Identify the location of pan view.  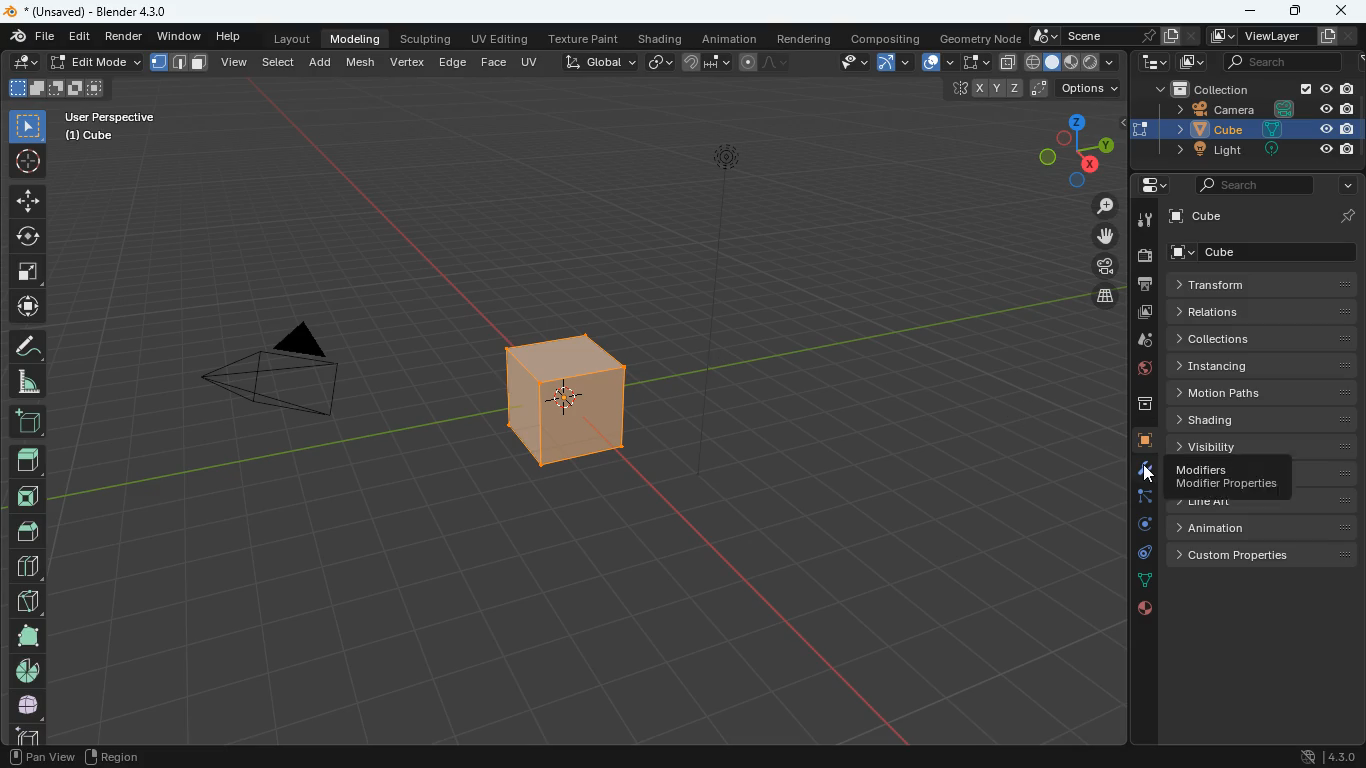
(41, 758).